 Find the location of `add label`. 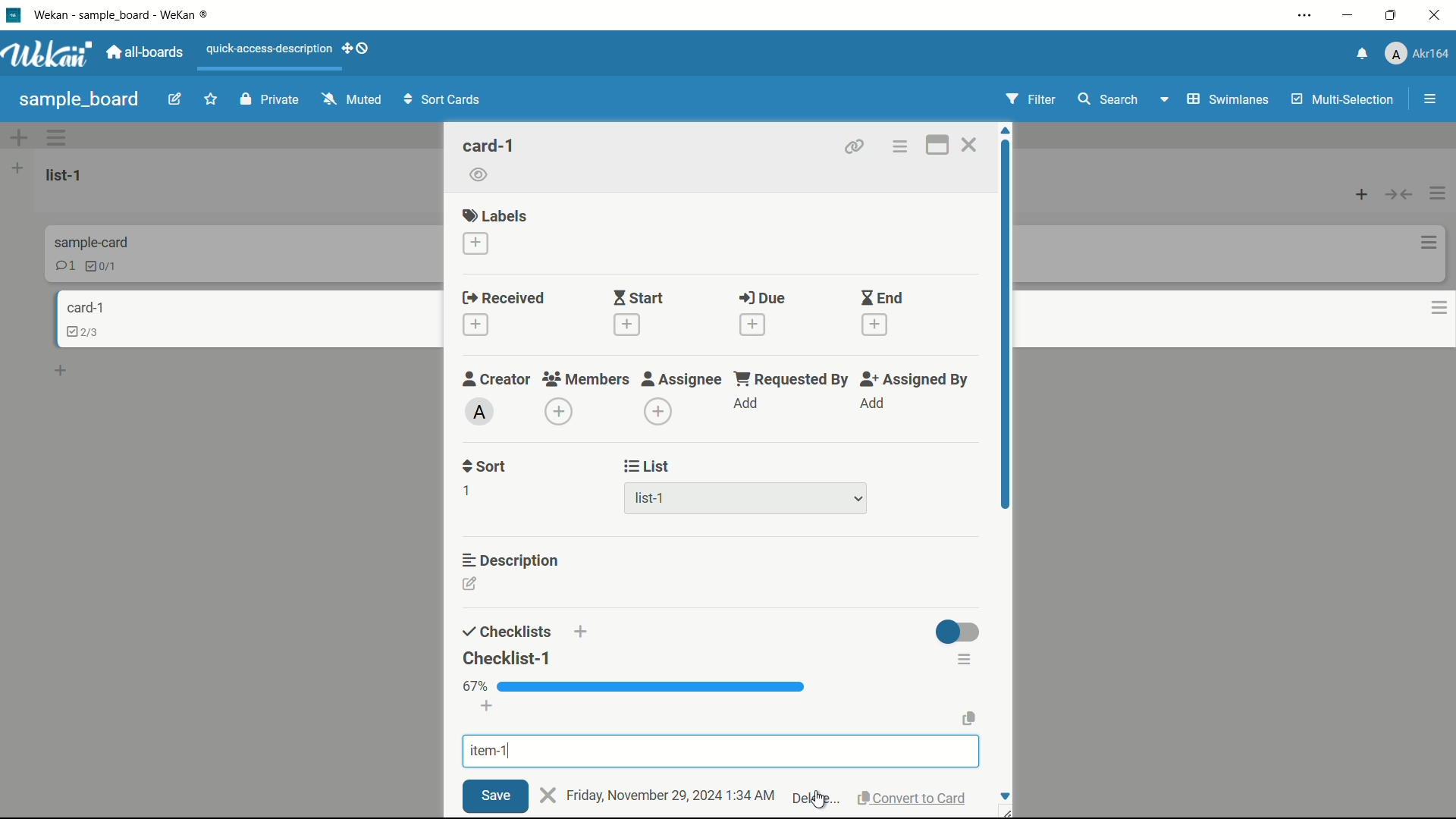

add label is located at coordinates (475, 243).